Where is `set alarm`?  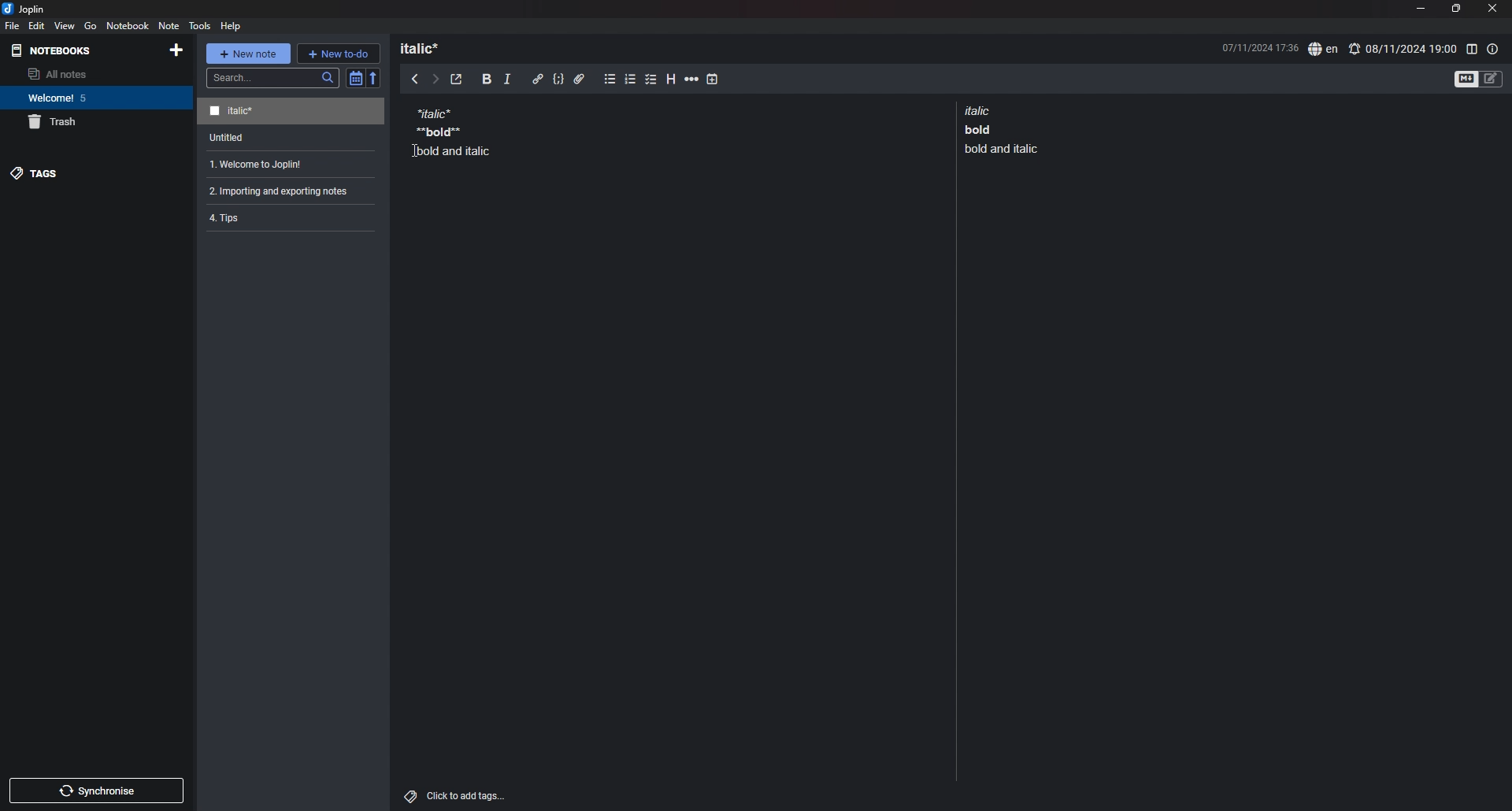 set alarm is located at coordinates (1403, 48).